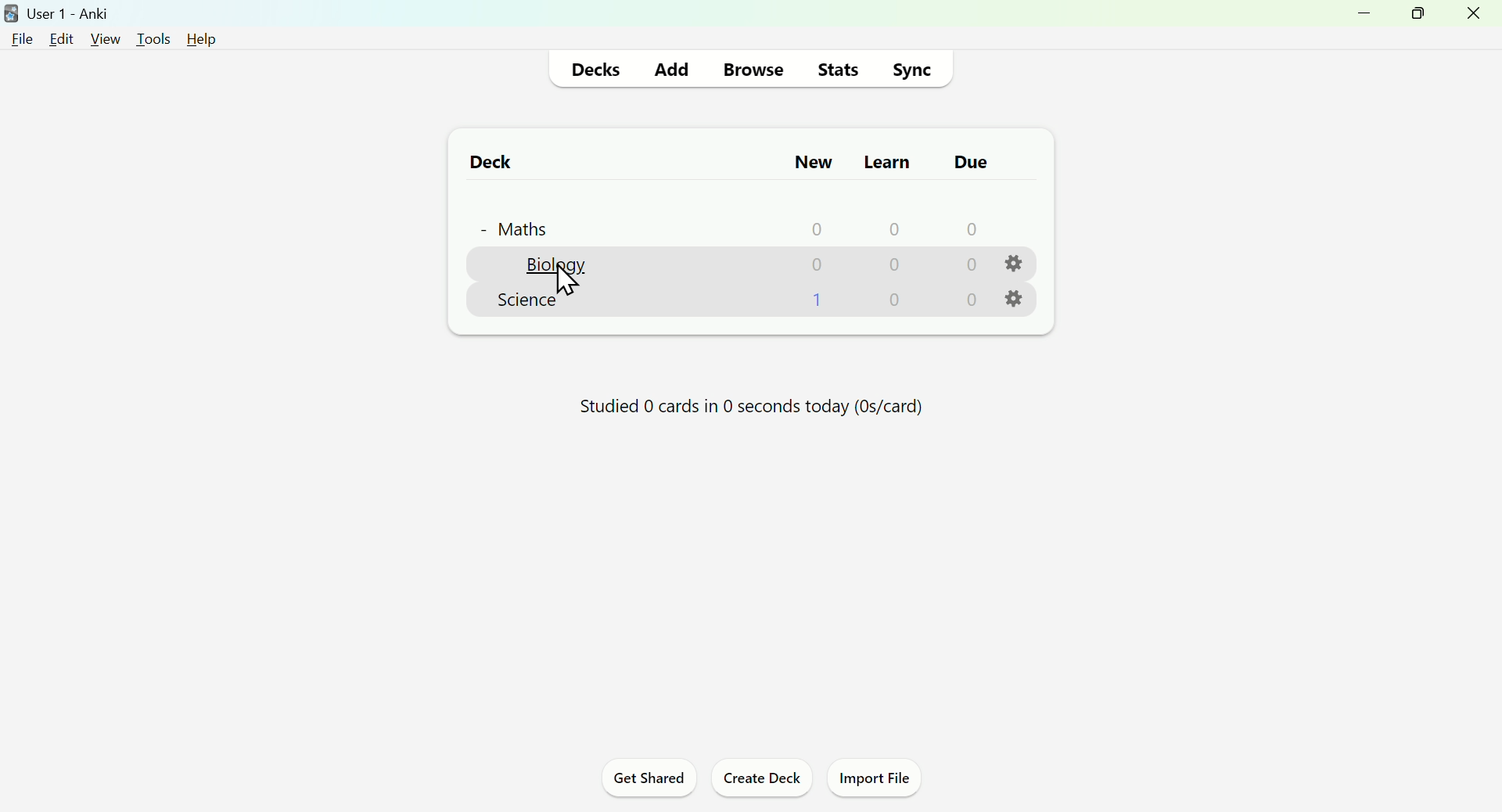 The image size is (1502, 812). Describe the element at coordinates (839, 68) in the screenshot. I see `Stats` at that location.